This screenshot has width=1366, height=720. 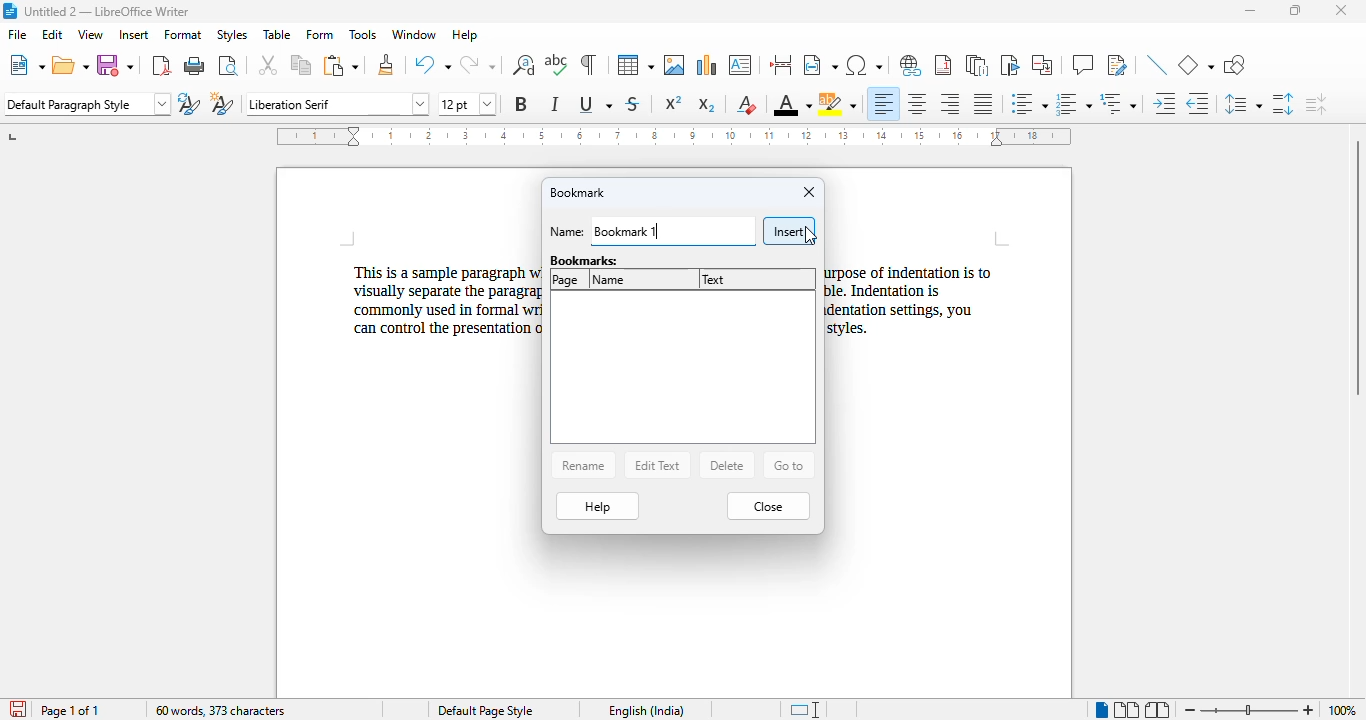 What do you see at coordinates (387, 65) in the screenshot?
I see `clone formatting` at bounding box center [387, 65].